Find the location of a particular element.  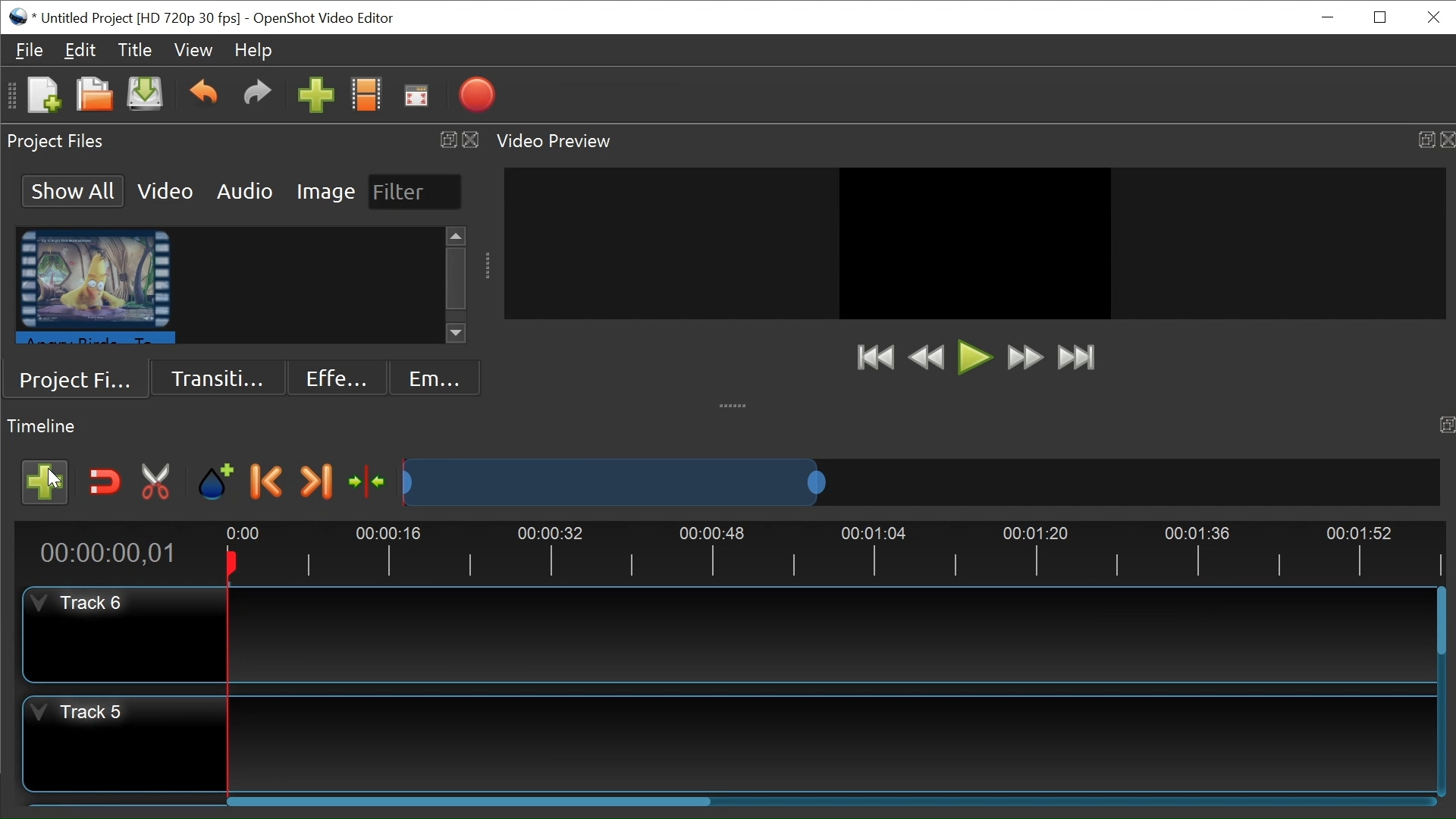

Help is located at coordinates (253, 51).